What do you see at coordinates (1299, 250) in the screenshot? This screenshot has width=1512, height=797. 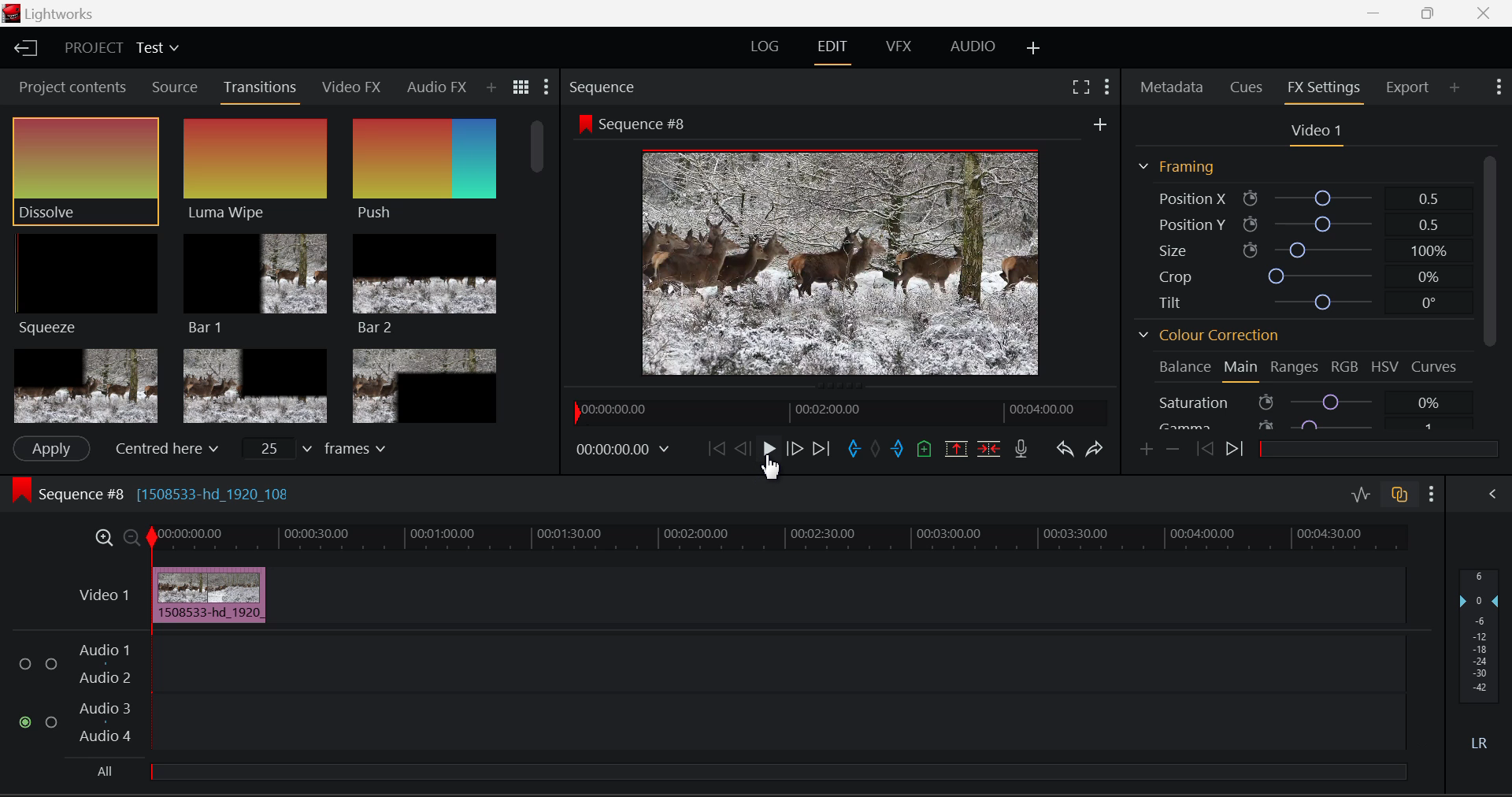 I see `Size` at bounding box center [1299, 250].